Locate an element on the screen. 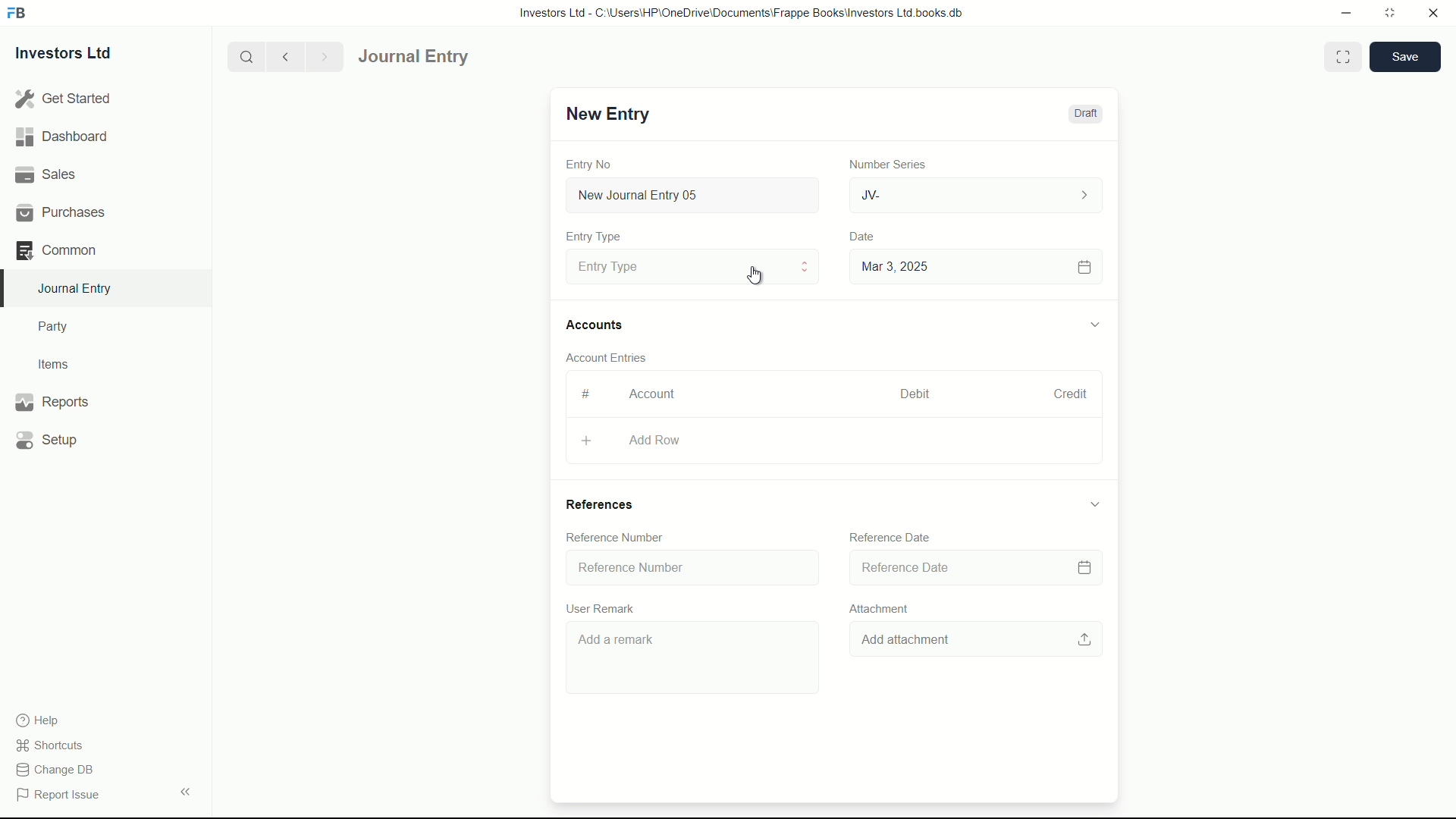 This screenshot has width=1456, height=819. previous is located at coordinates (284, 56).